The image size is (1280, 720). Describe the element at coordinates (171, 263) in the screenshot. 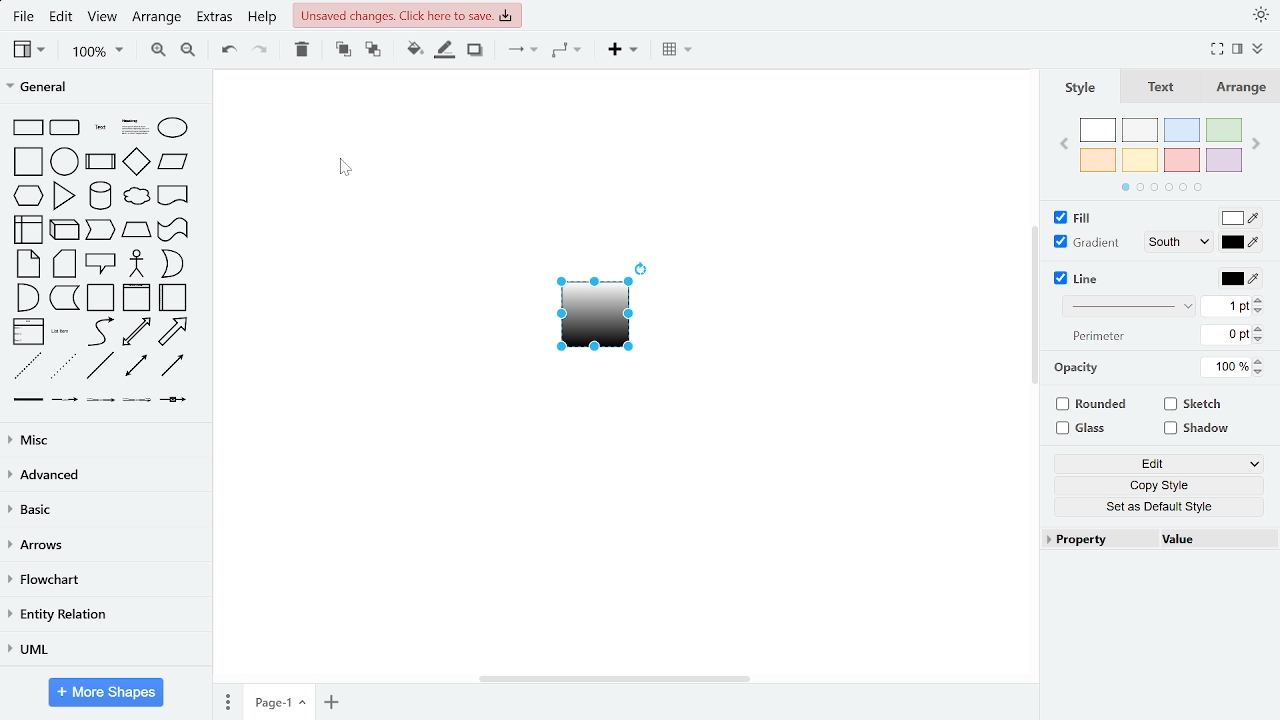

I see `general shapes` at that location.